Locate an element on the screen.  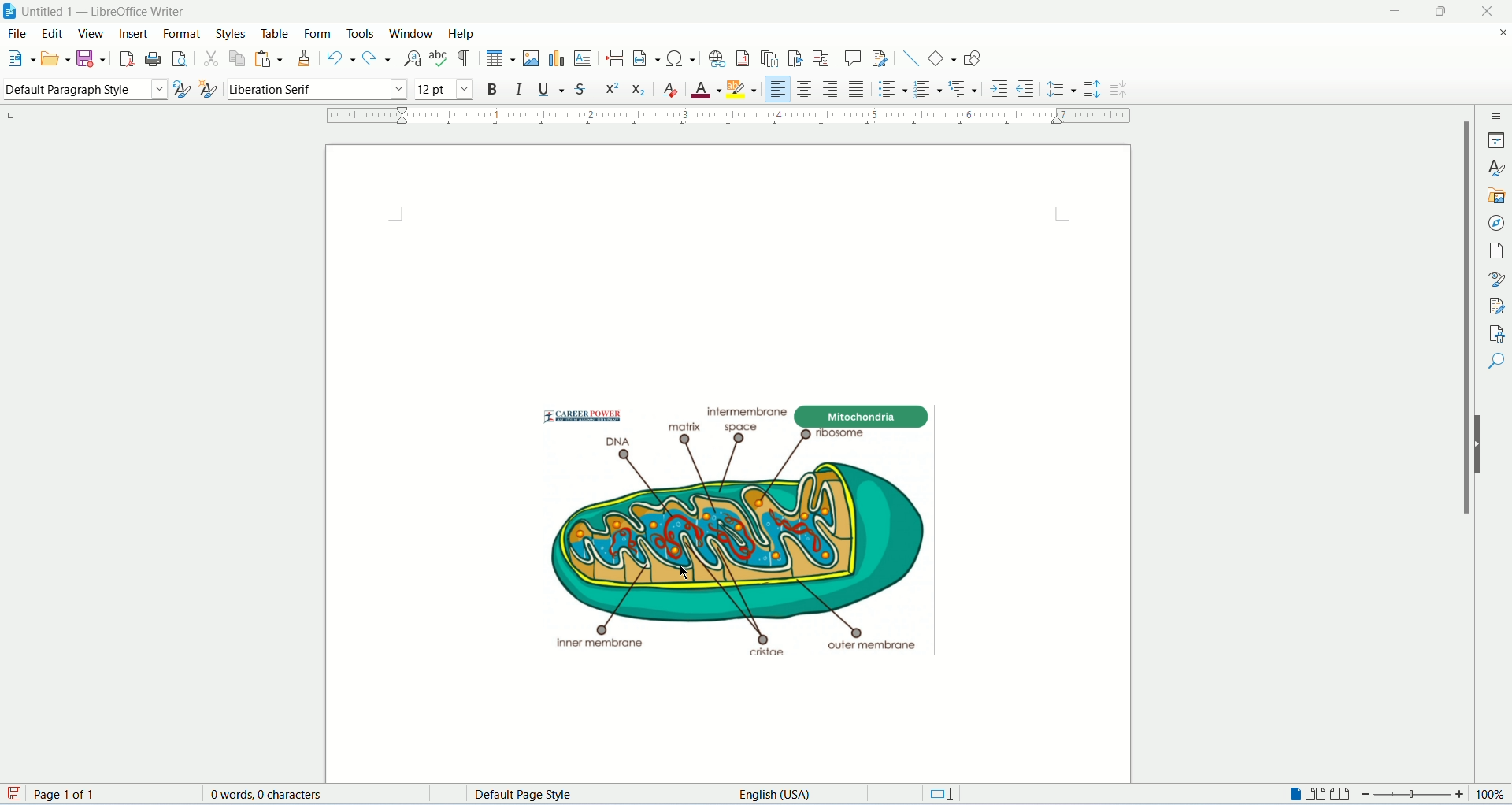
font color is located at coordinates (706, 91).